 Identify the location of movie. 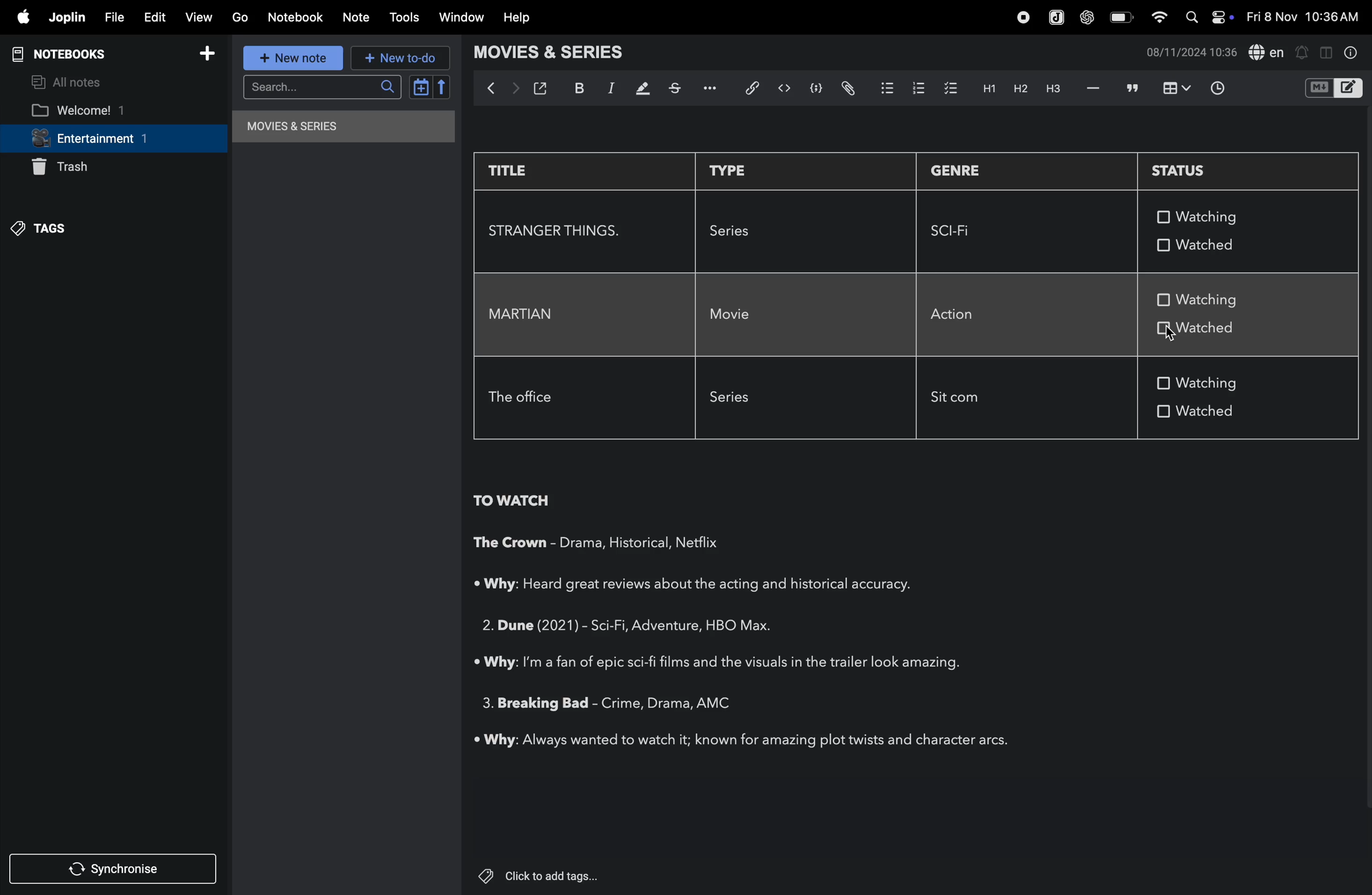
(734, 315).